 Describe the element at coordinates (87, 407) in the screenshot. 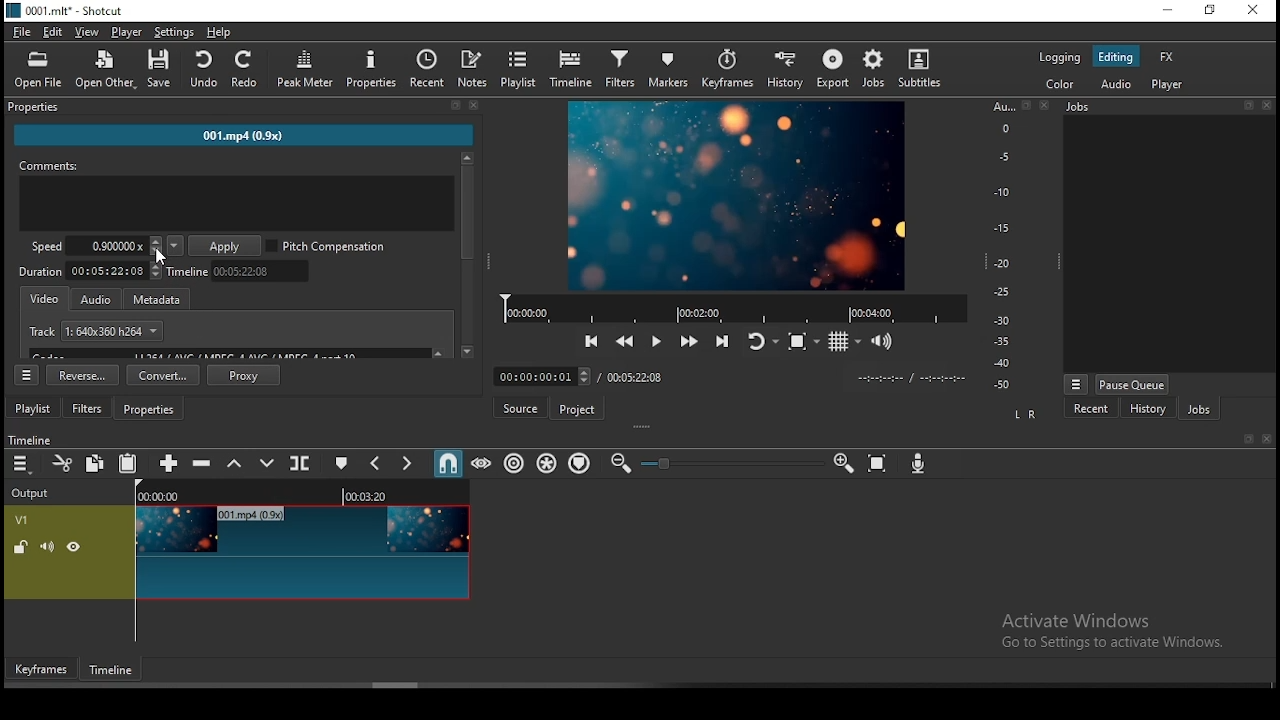

I see `filters` at that location.